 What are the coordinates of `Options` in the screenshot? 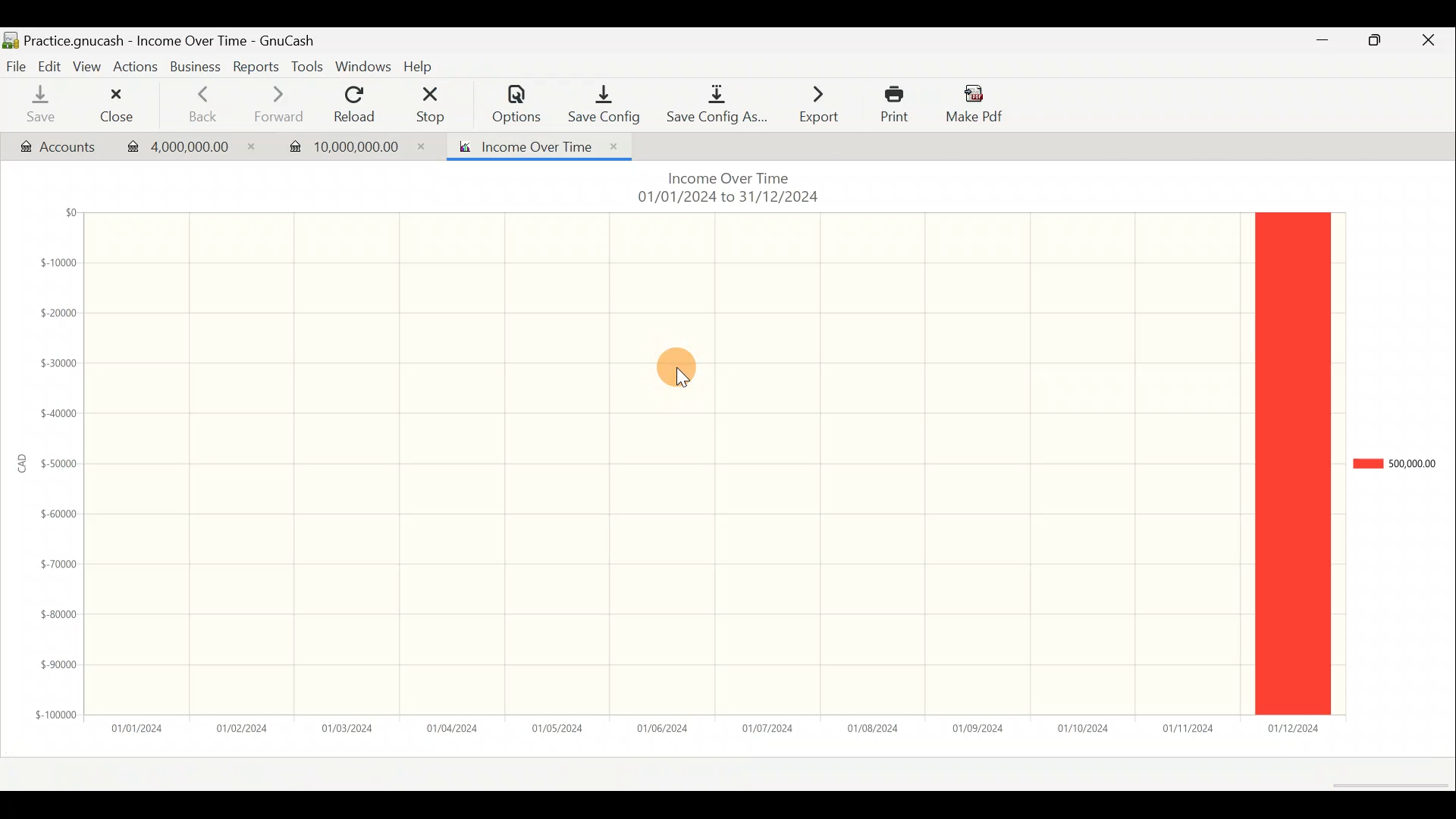 It's located at (518, 103).